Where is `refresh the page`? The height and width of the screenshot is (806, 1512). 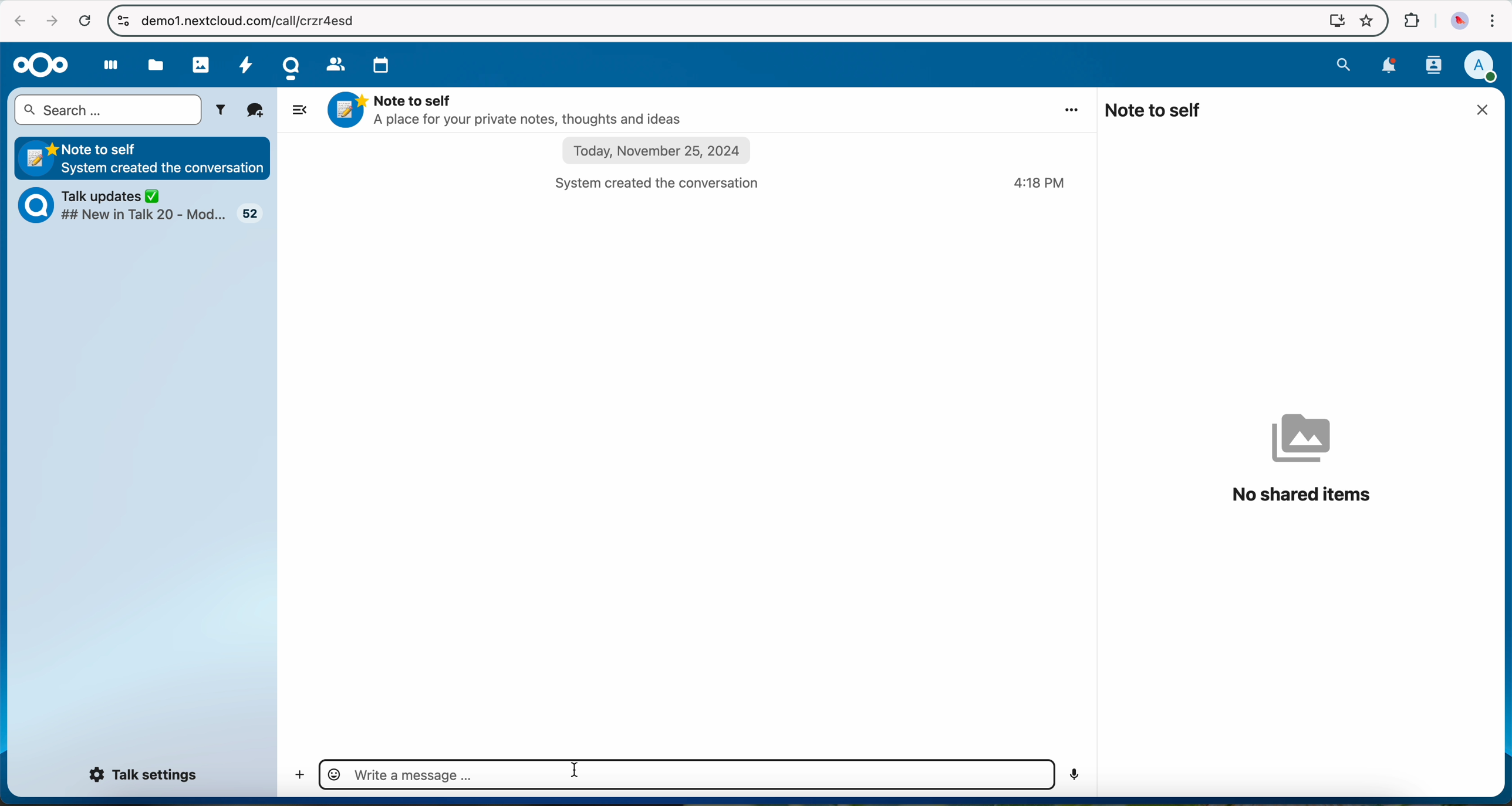 refresh the page is located at coordinates (84, 20).